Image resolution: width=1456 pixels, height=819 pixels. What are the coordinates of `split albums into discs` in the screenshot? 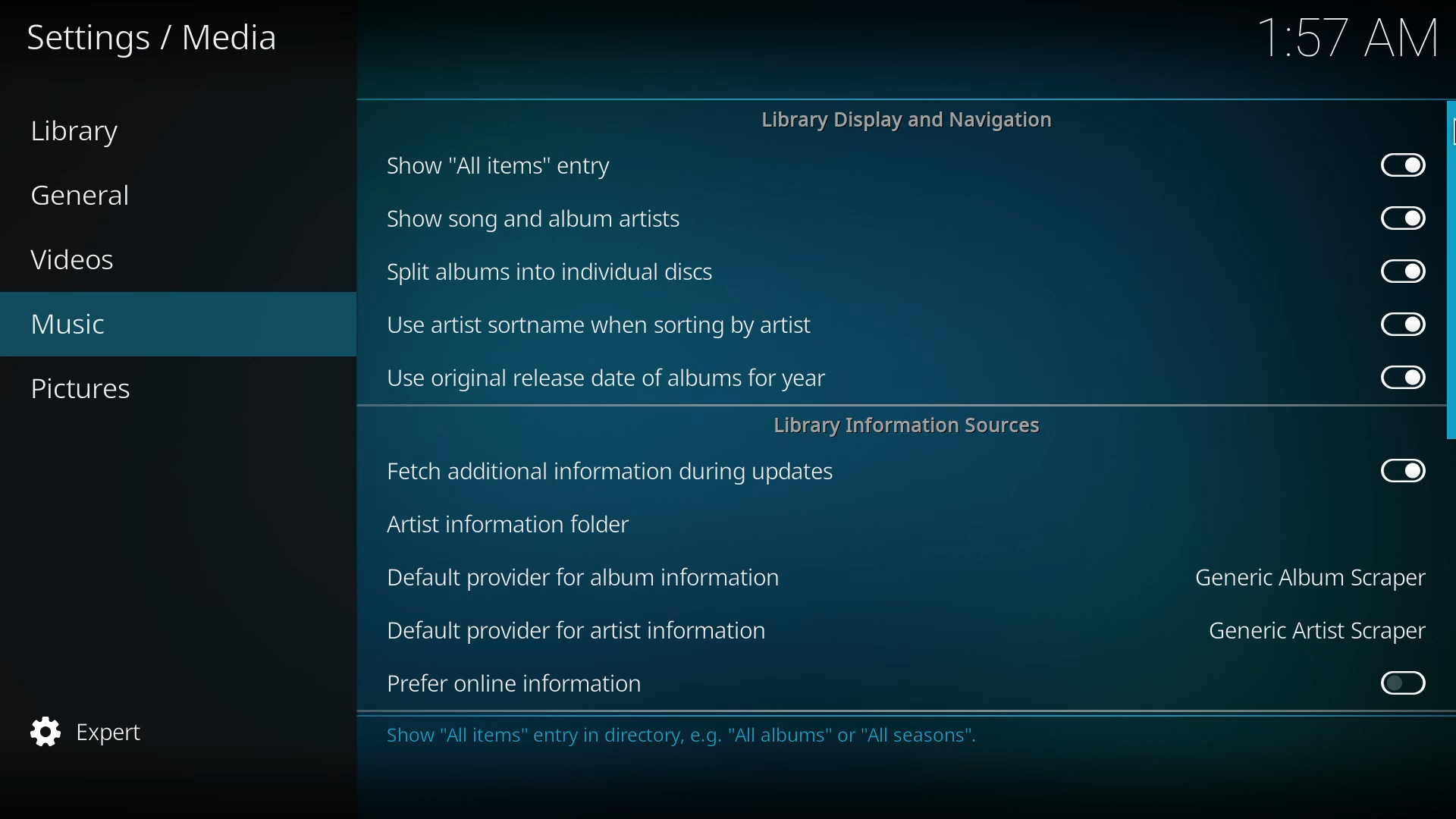 It's located at (552, 270).